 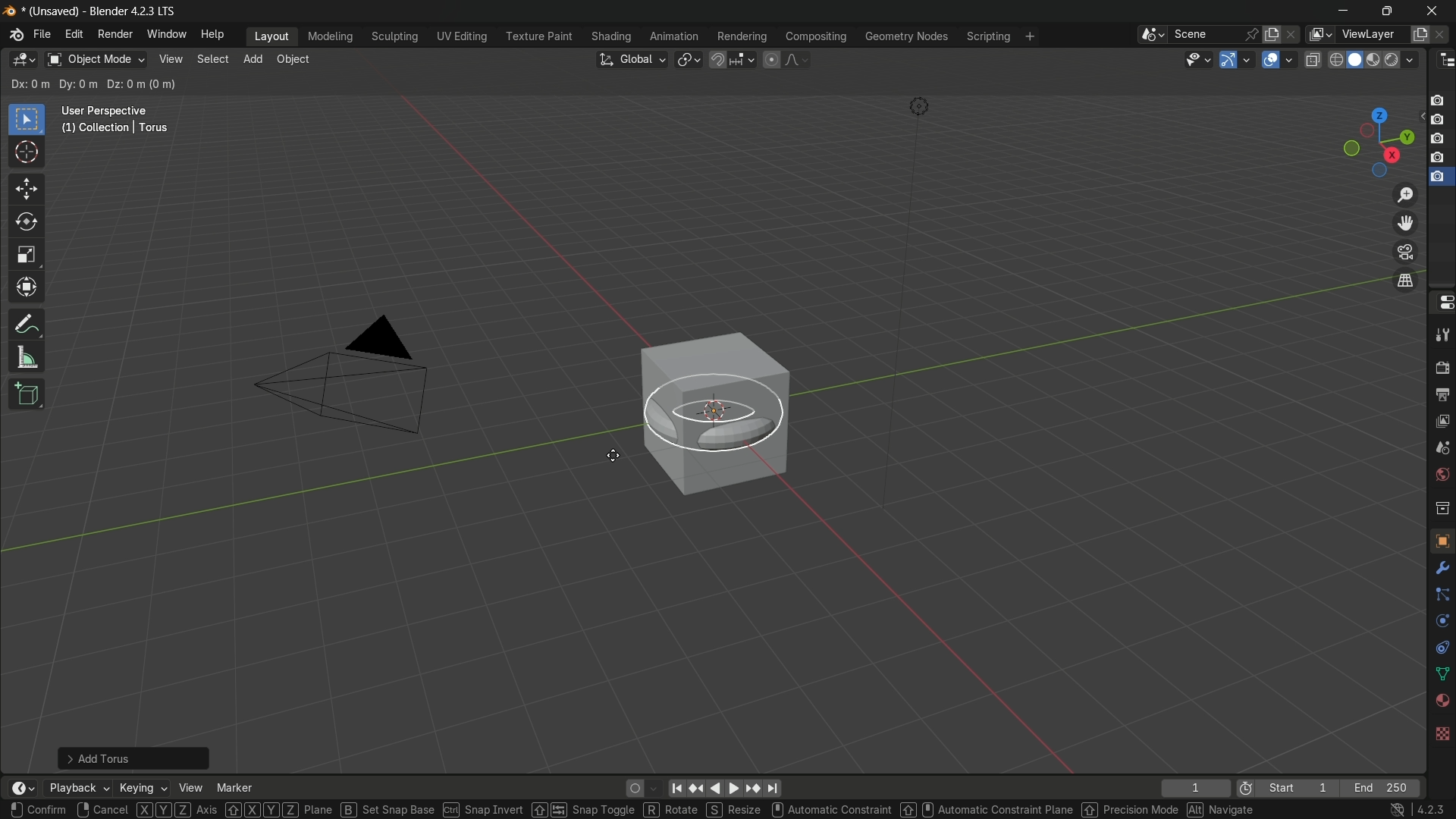 What do you see at coordinates (272, 36) in the screenshot?
I see `layout` at bounding box center [272, 36].